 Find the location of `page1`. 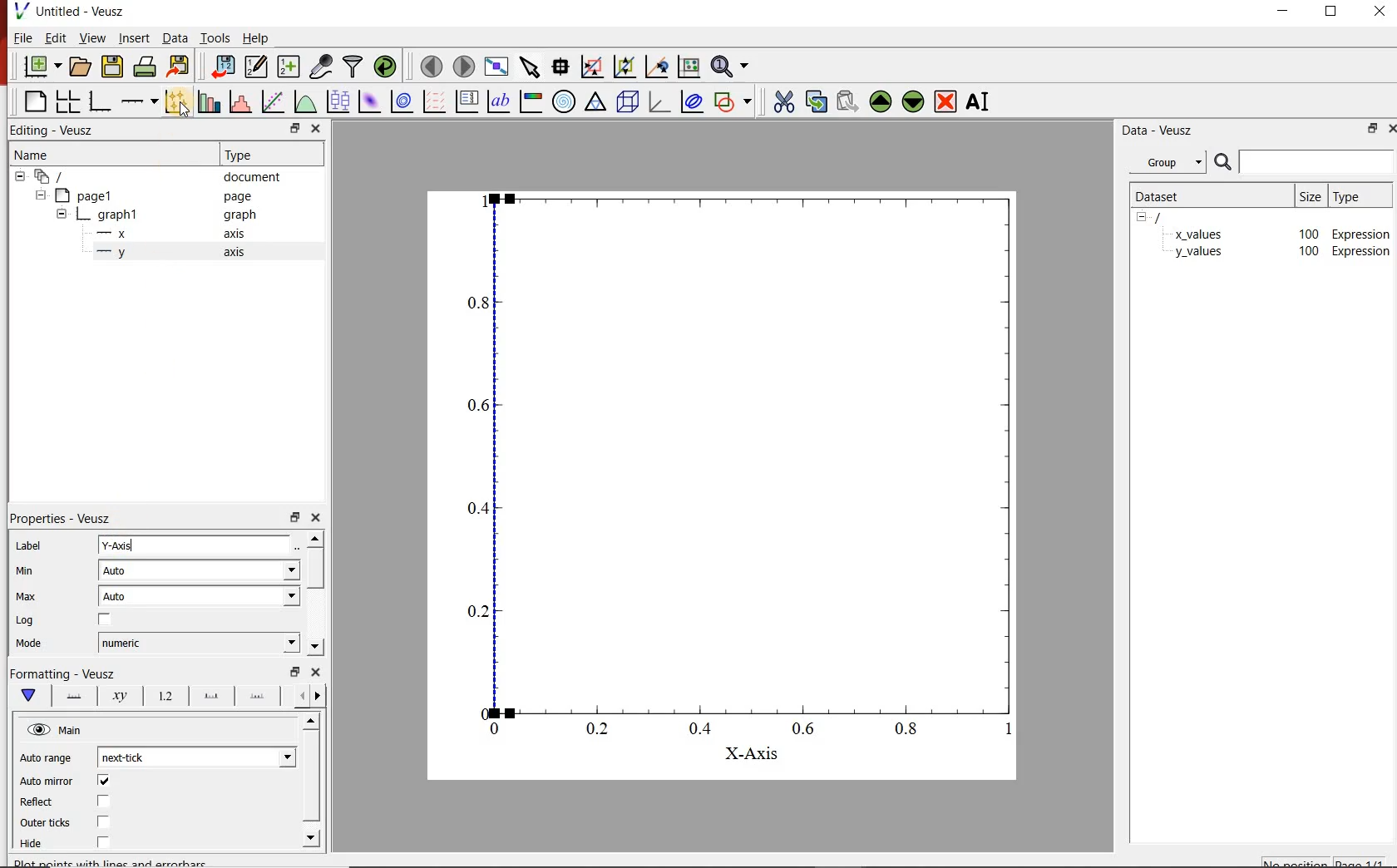

page1 is located at coordinates (91, 194).